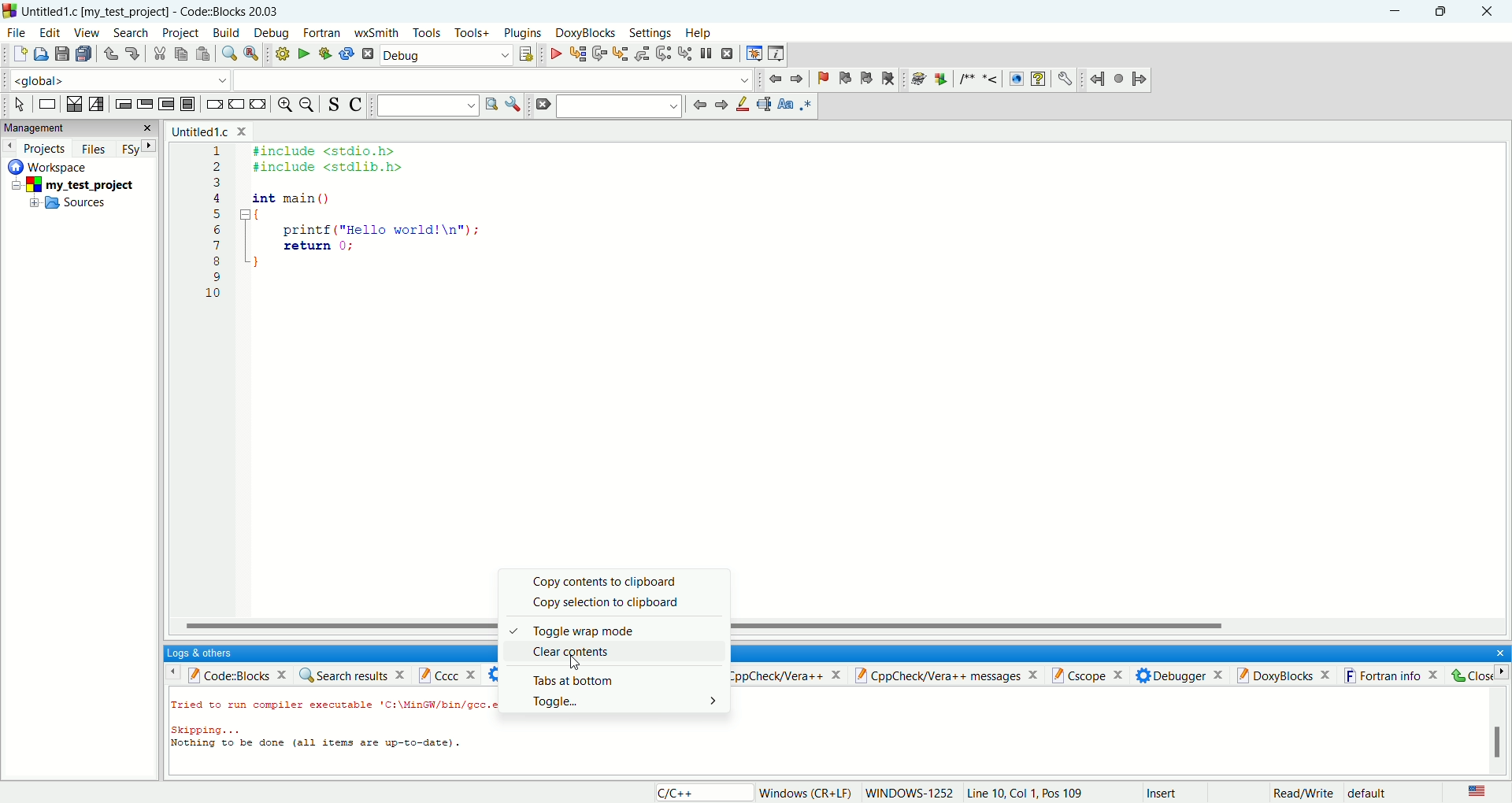  What do you see at coordinates (941, 80) in the screenshot?
I see `extract documentation` at bounding box center [941, 80].